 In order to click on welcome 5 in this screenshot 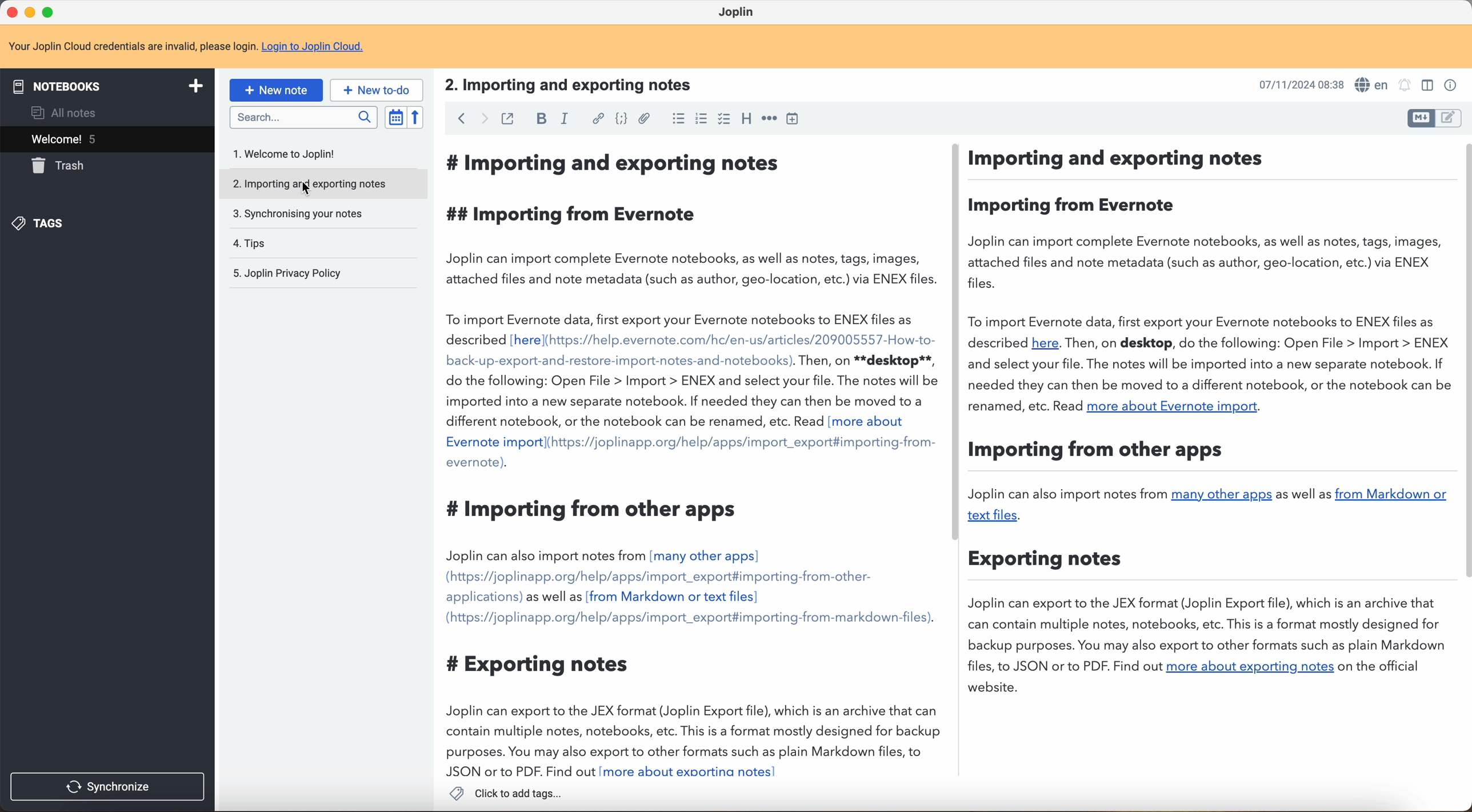, I will do `click(106, 139)`.